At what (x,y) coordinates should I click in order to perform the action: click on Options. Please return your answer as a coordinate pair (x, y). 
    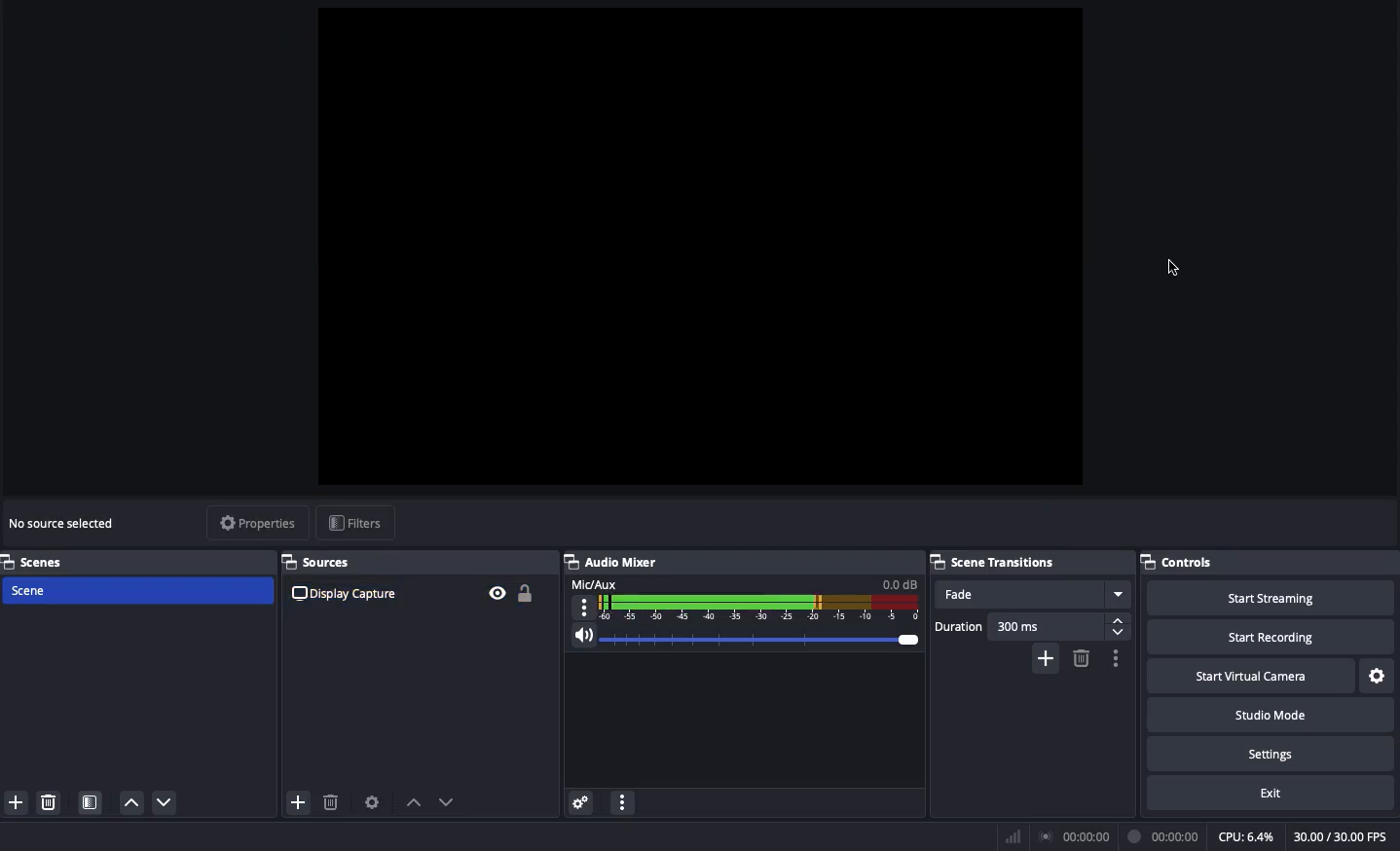
    Looking at the image, I should click on (1113, 658).